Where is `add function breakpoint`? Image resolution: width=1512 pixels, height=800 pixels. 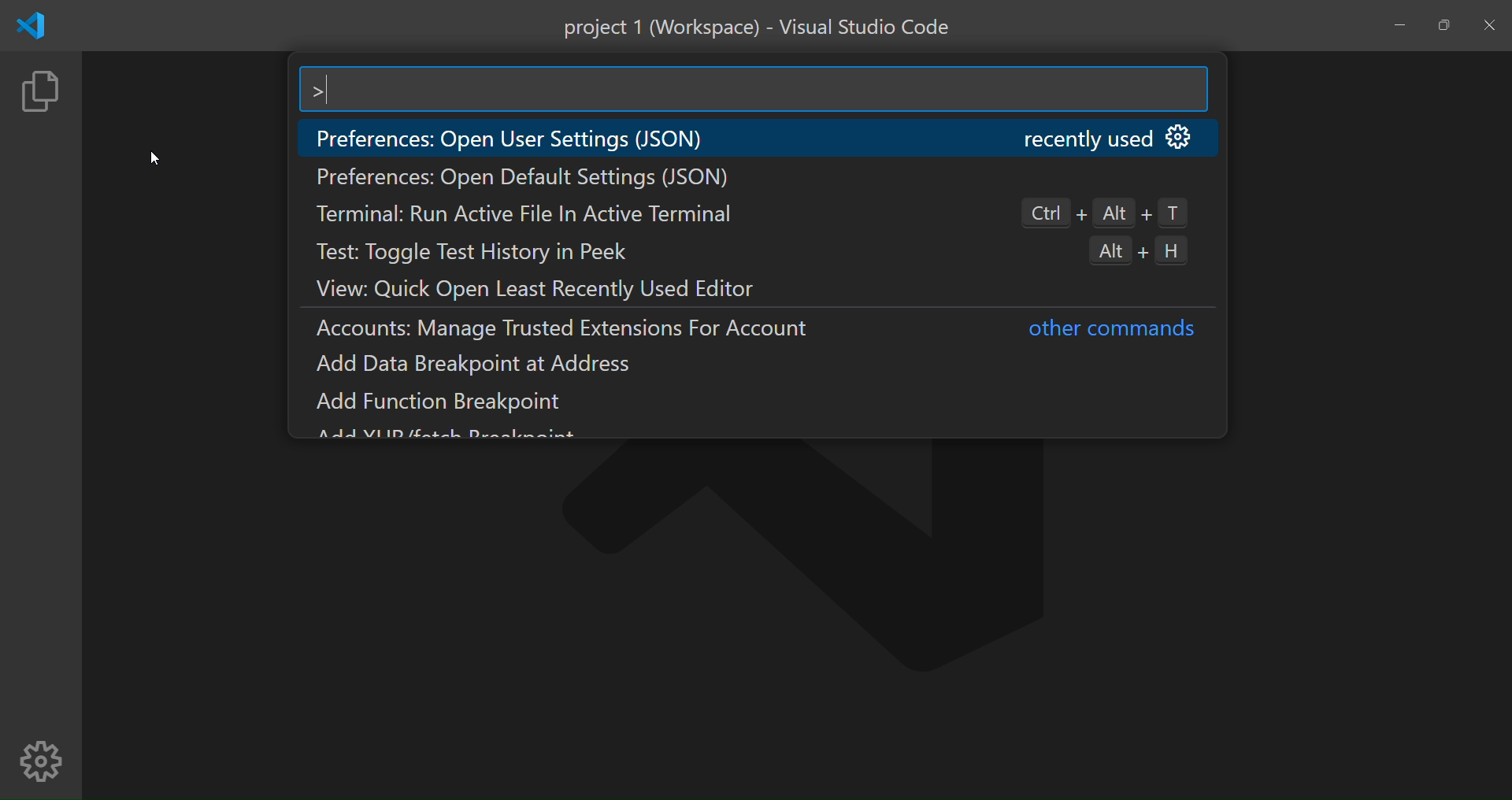 add function breakpoint is located at coordinates (453, 402).